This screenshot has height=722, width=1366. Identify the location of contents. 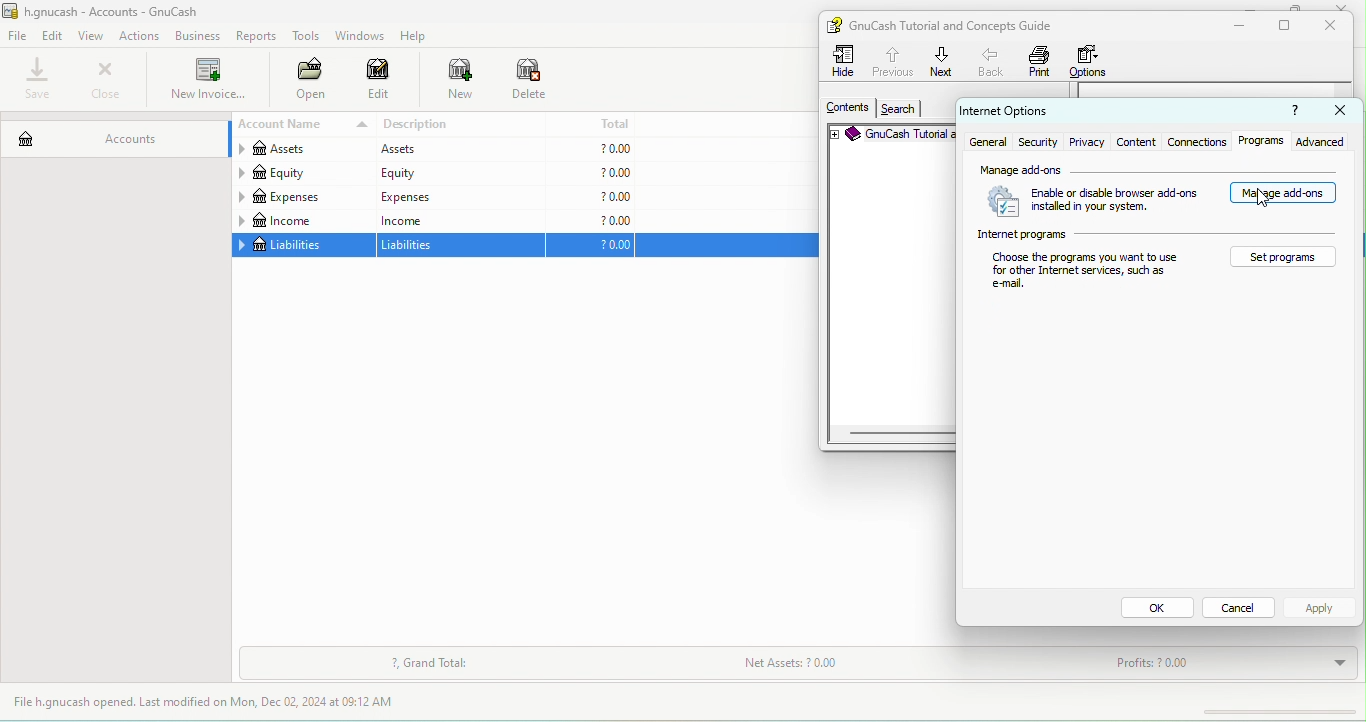
(844, 107).